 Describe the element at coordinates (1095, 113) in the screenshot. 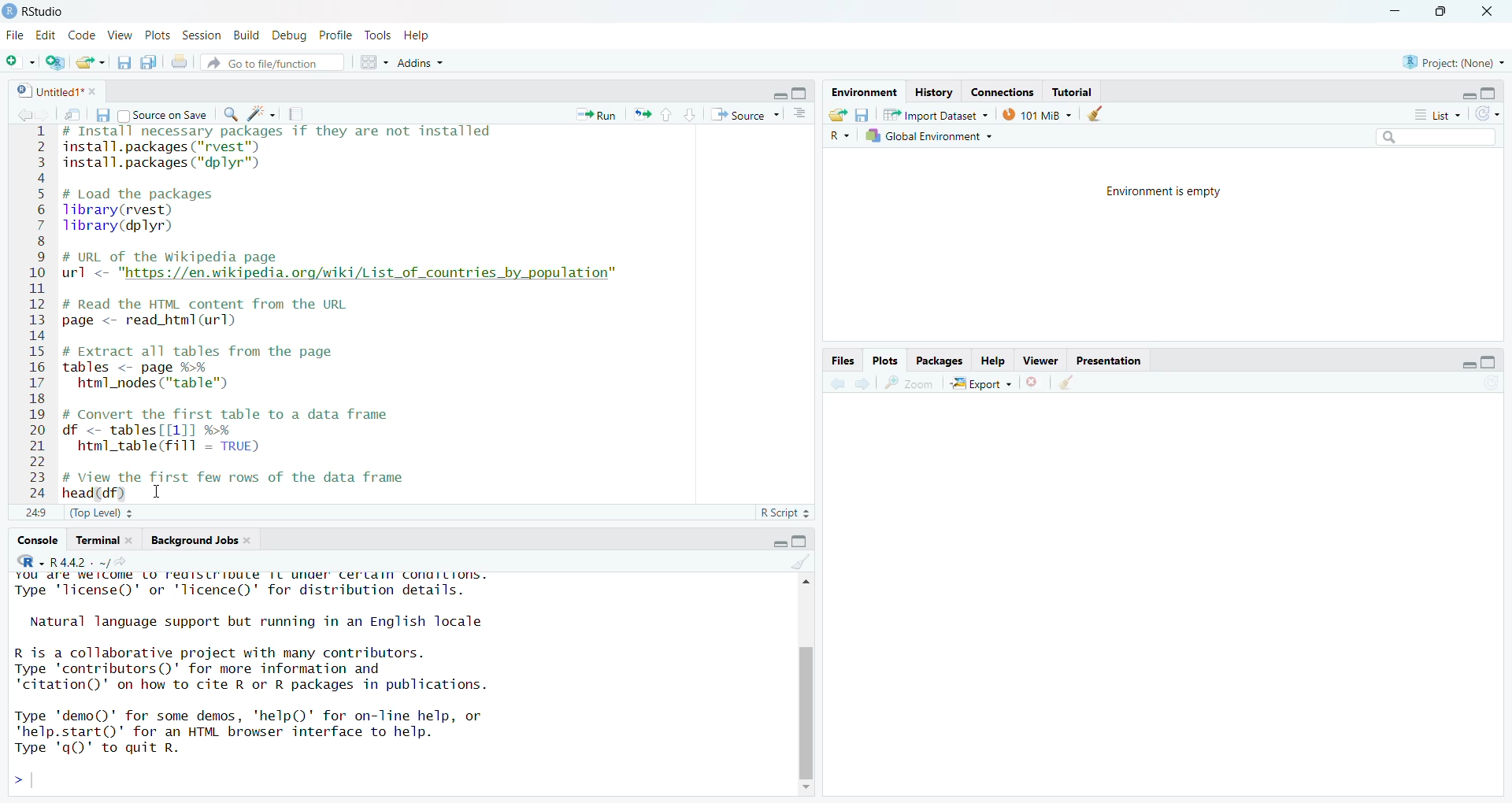

I see `clear` at that location.